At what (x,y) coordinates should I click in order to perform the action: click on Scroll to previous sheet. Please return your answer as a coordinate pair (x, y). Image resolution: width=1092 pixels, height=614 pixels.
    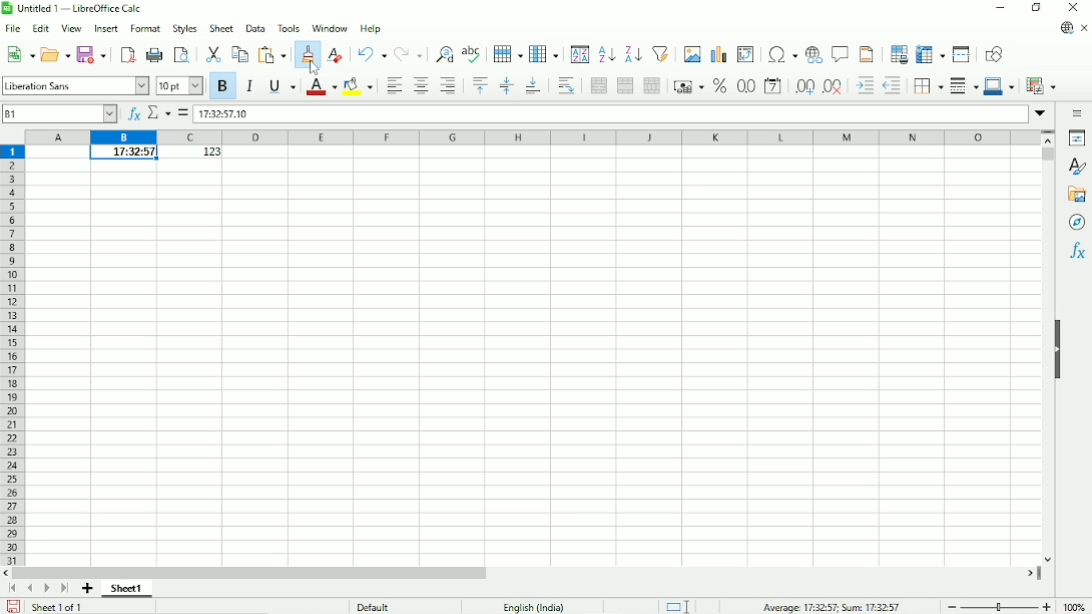
    Looking at the image, I should click on (29, 589).